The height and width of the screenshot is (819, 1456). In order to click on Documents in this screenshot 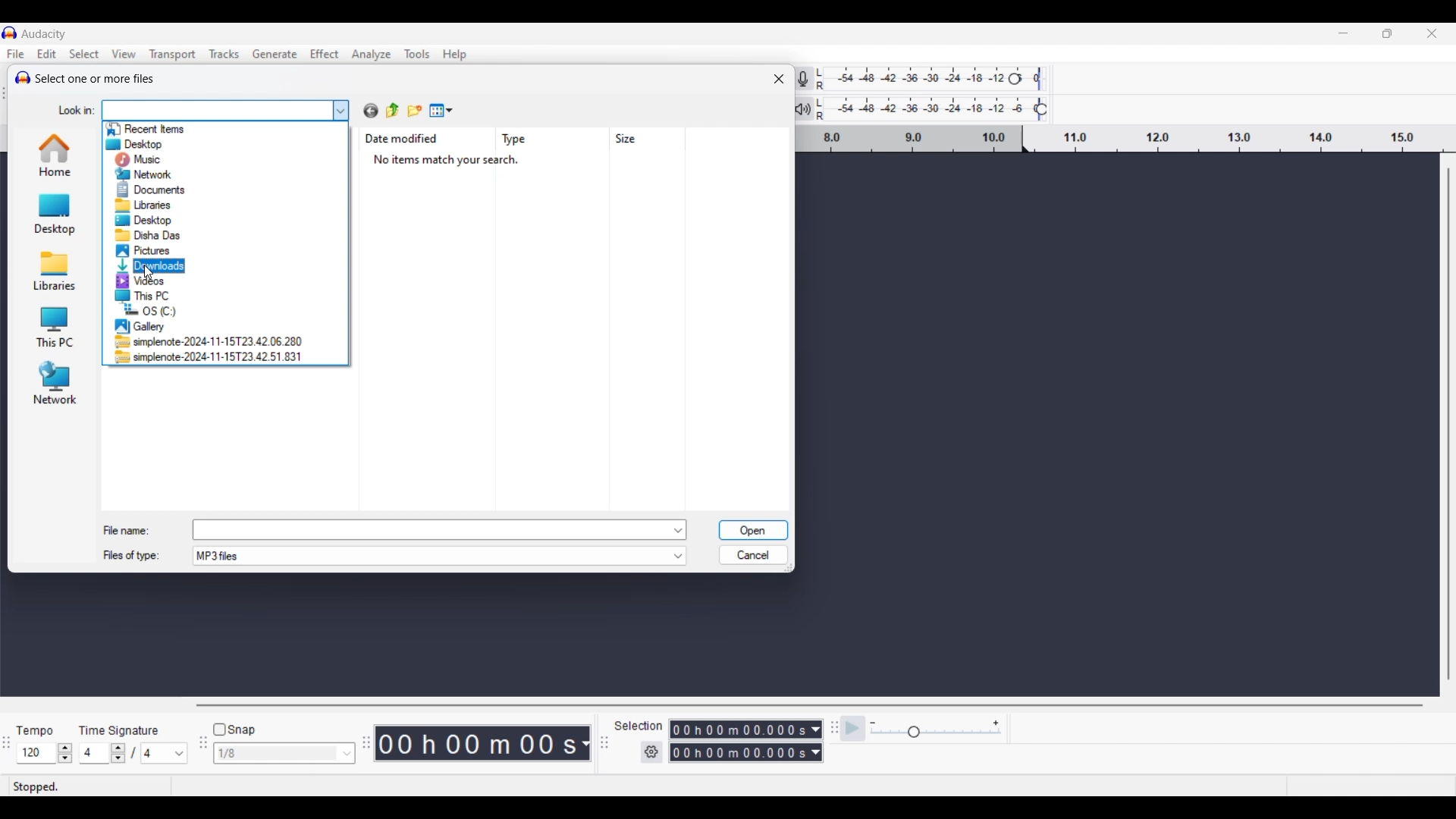, I will do `click(158, 188)`.